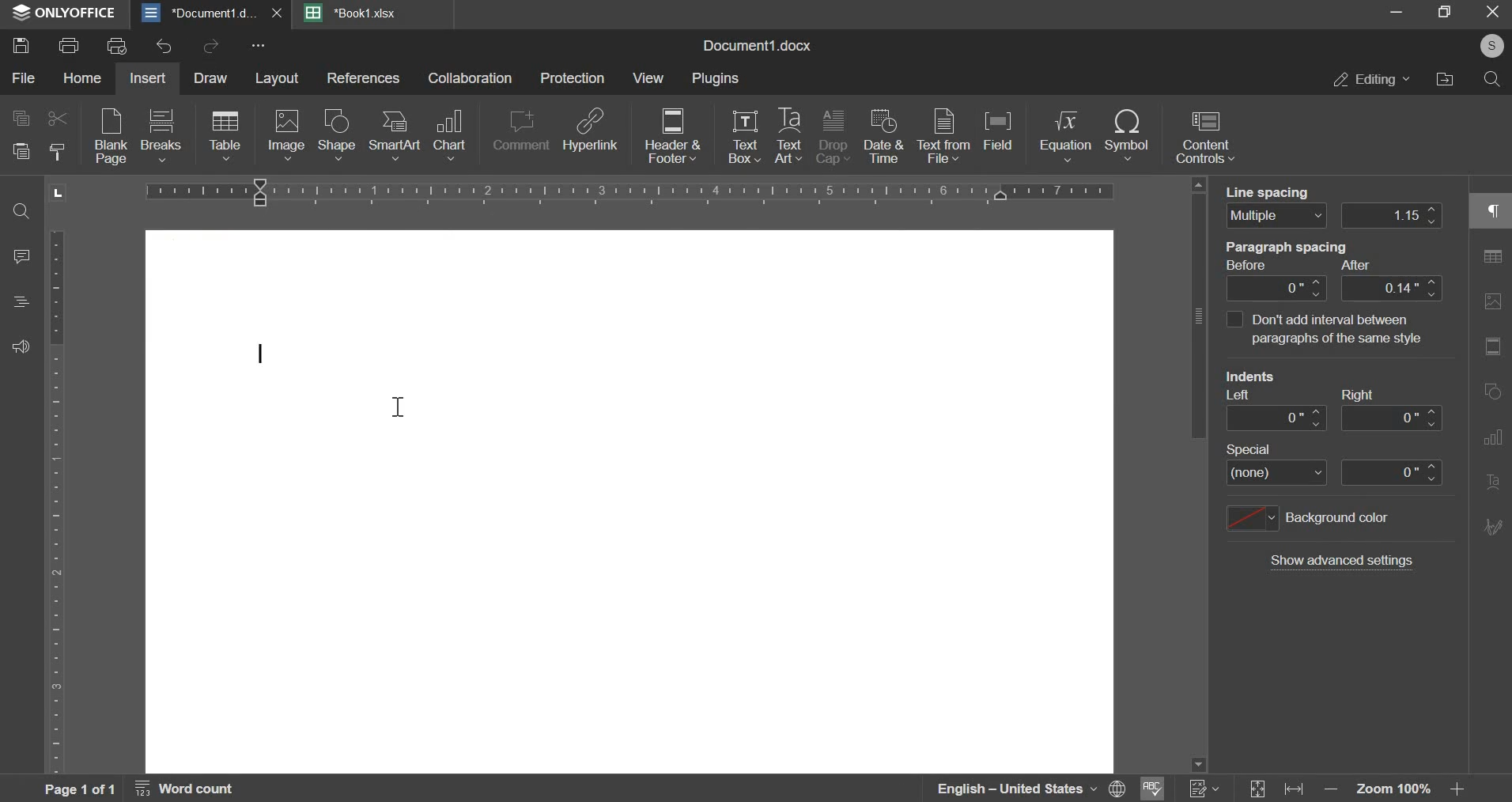  I want to click on language, so click(1032, 789).